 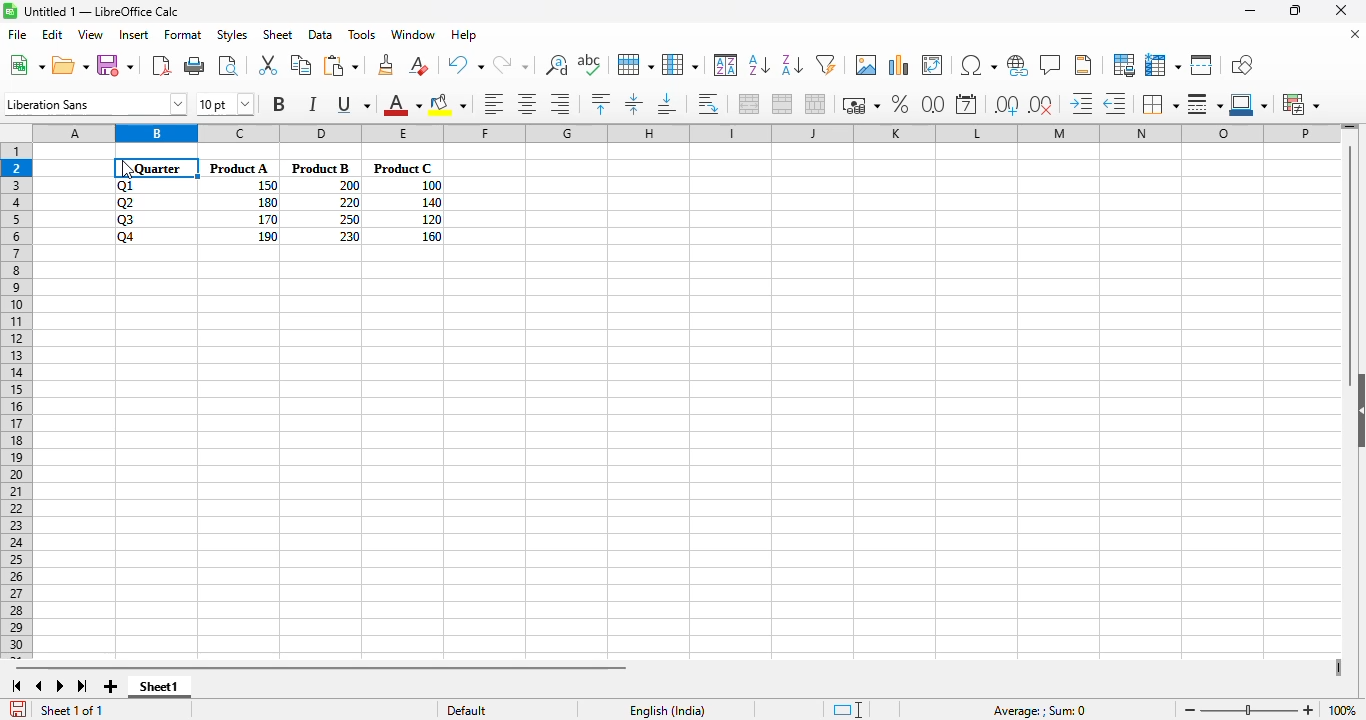 I want to click on zoom in, so click(x=1309, y=710).